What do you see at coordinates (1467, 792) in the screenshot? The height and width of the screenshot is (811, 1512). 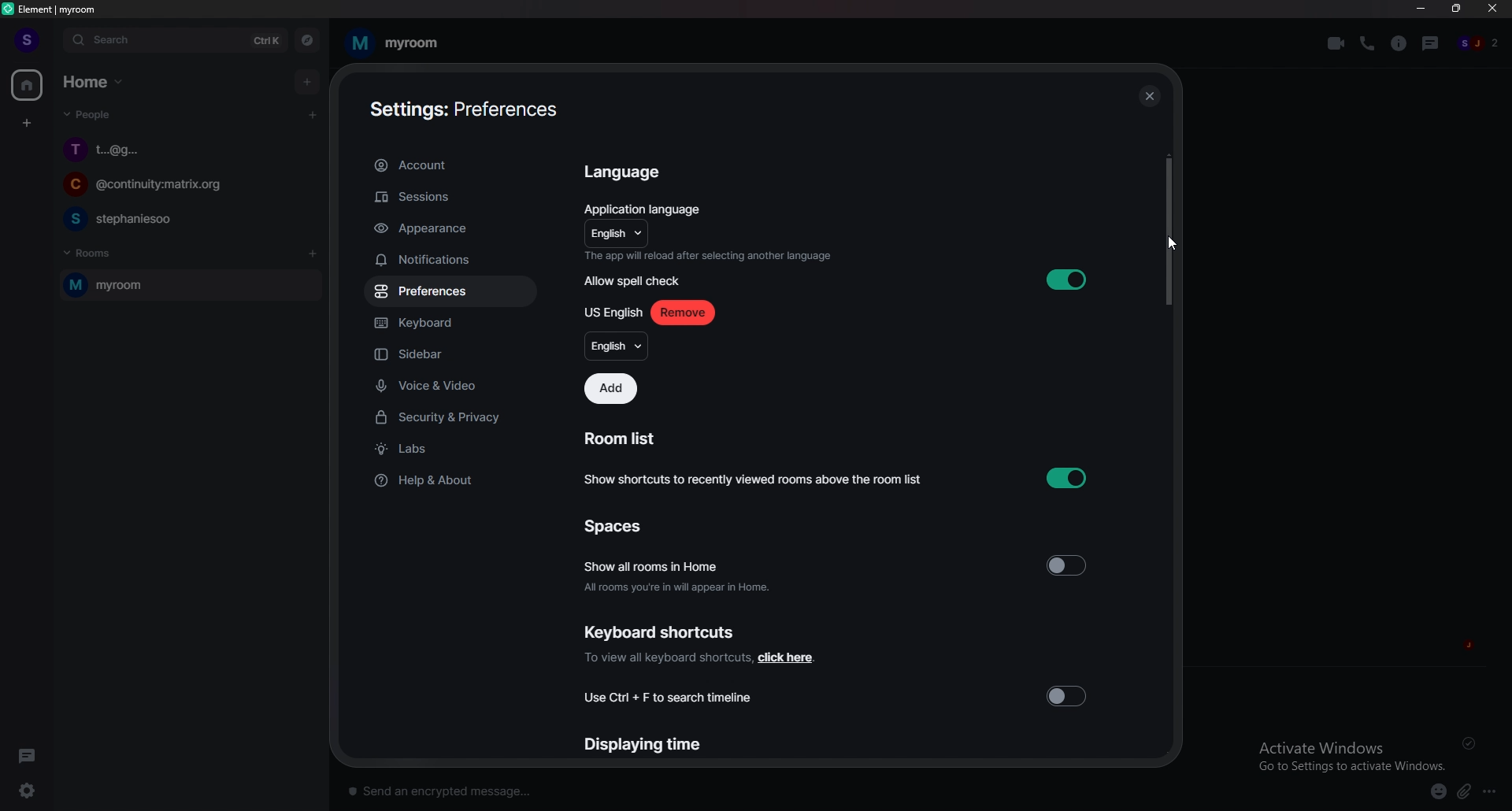 I see `attachments` at bounding box center [1467, 792].